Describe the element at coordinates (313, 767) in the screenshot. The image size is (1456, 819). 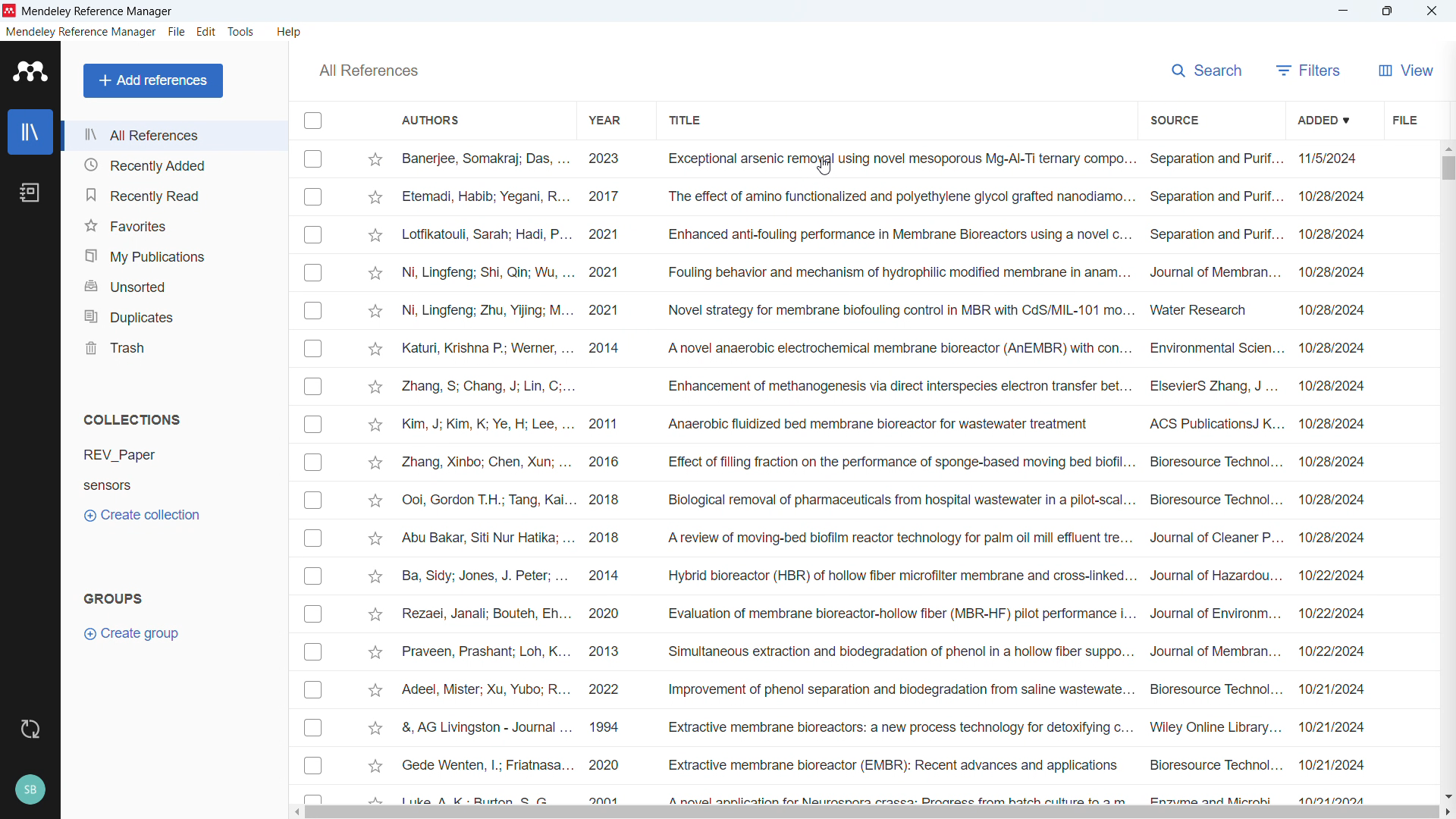
I see `click to select individual entry` at that location.